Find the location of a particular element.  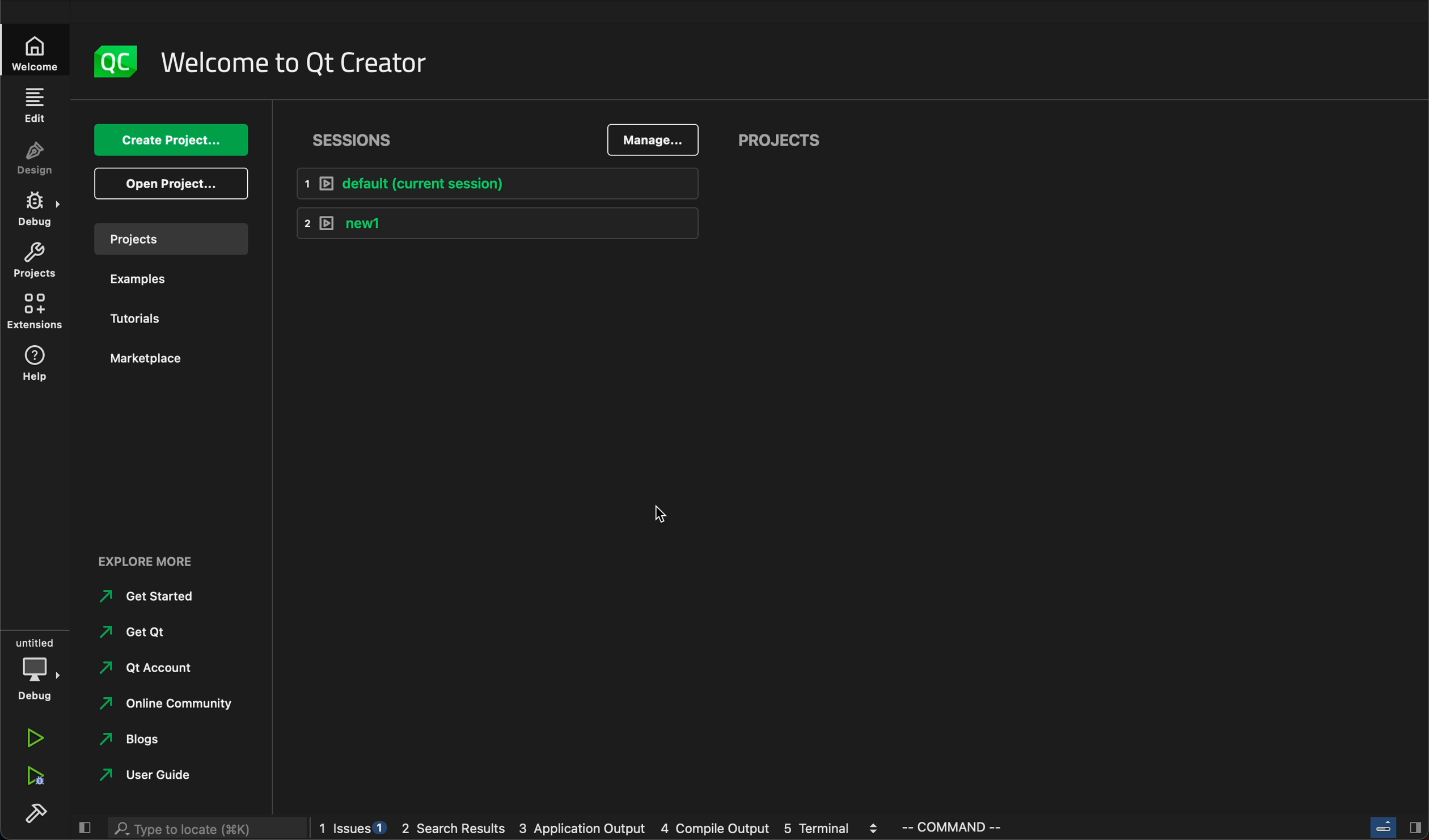

run debug is located at coordinates (32, 779).